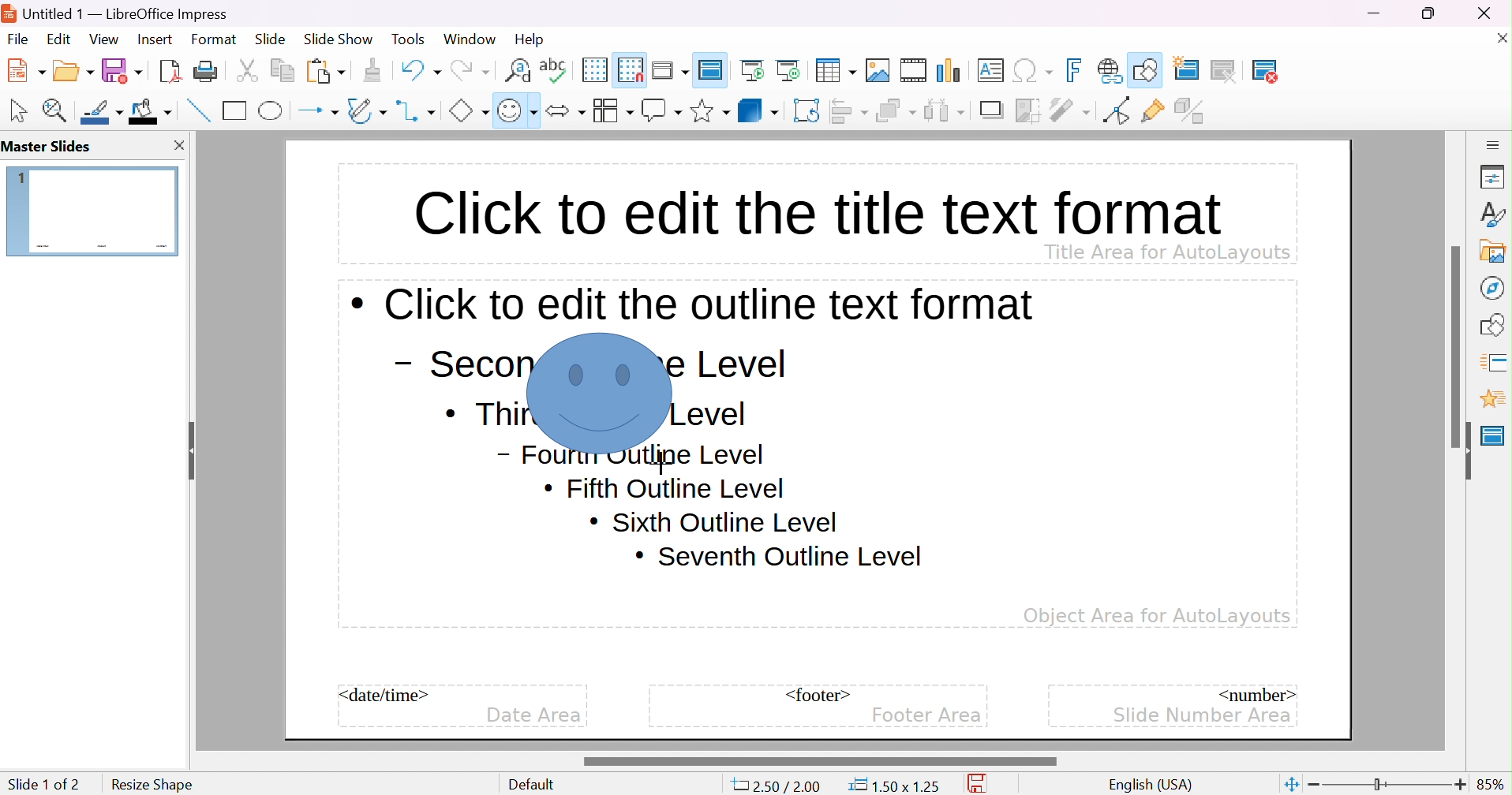 The image size is (1512, 795). I want to click on <footer>, so click(818, 695).